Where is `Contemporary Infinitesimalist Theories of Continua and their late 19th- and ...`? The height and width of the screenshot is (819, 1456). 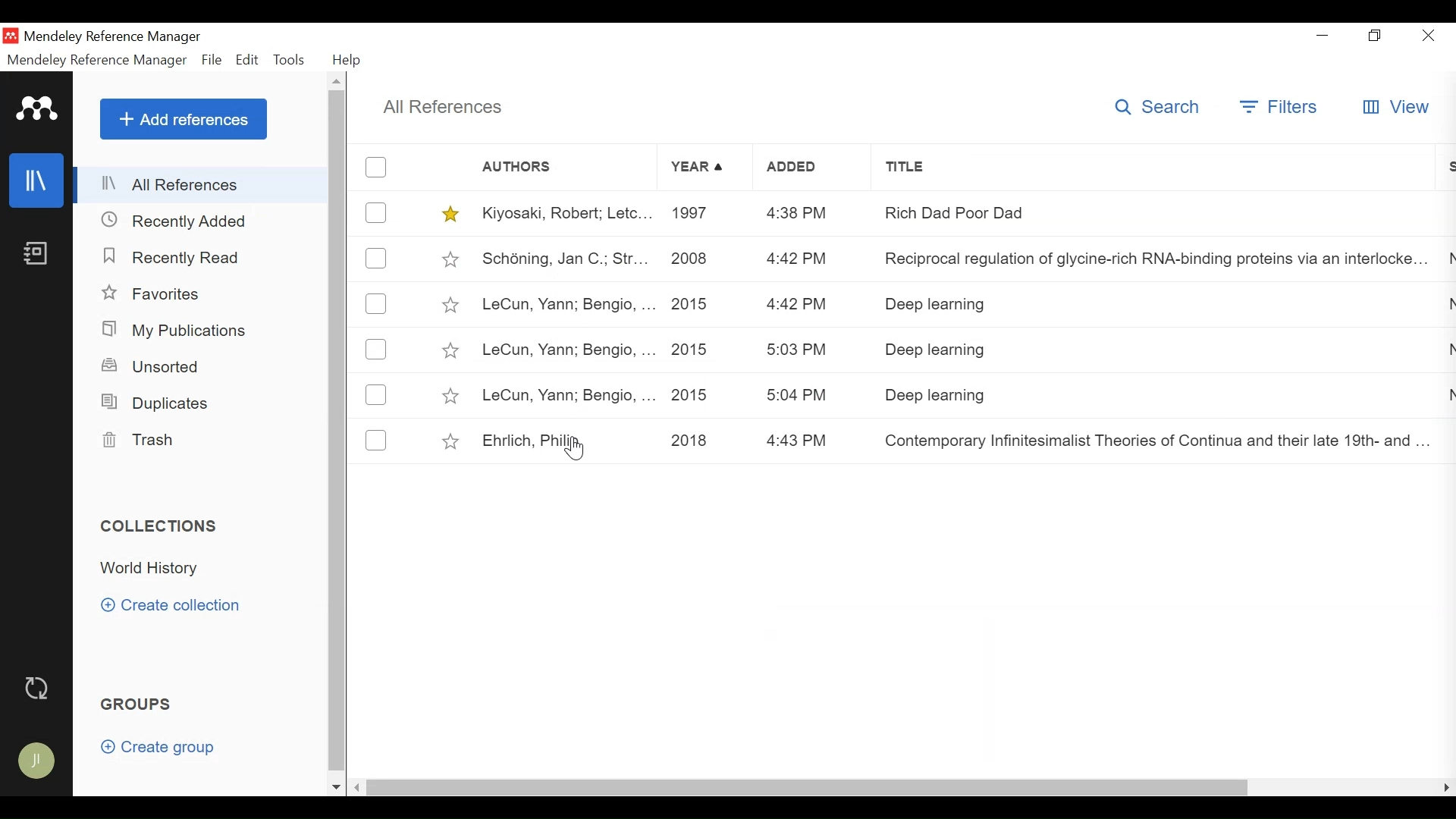 Contemporary Infinitesimalist Theories of Continua and their late 19th- and ... is located at coordinates (1162, 441).